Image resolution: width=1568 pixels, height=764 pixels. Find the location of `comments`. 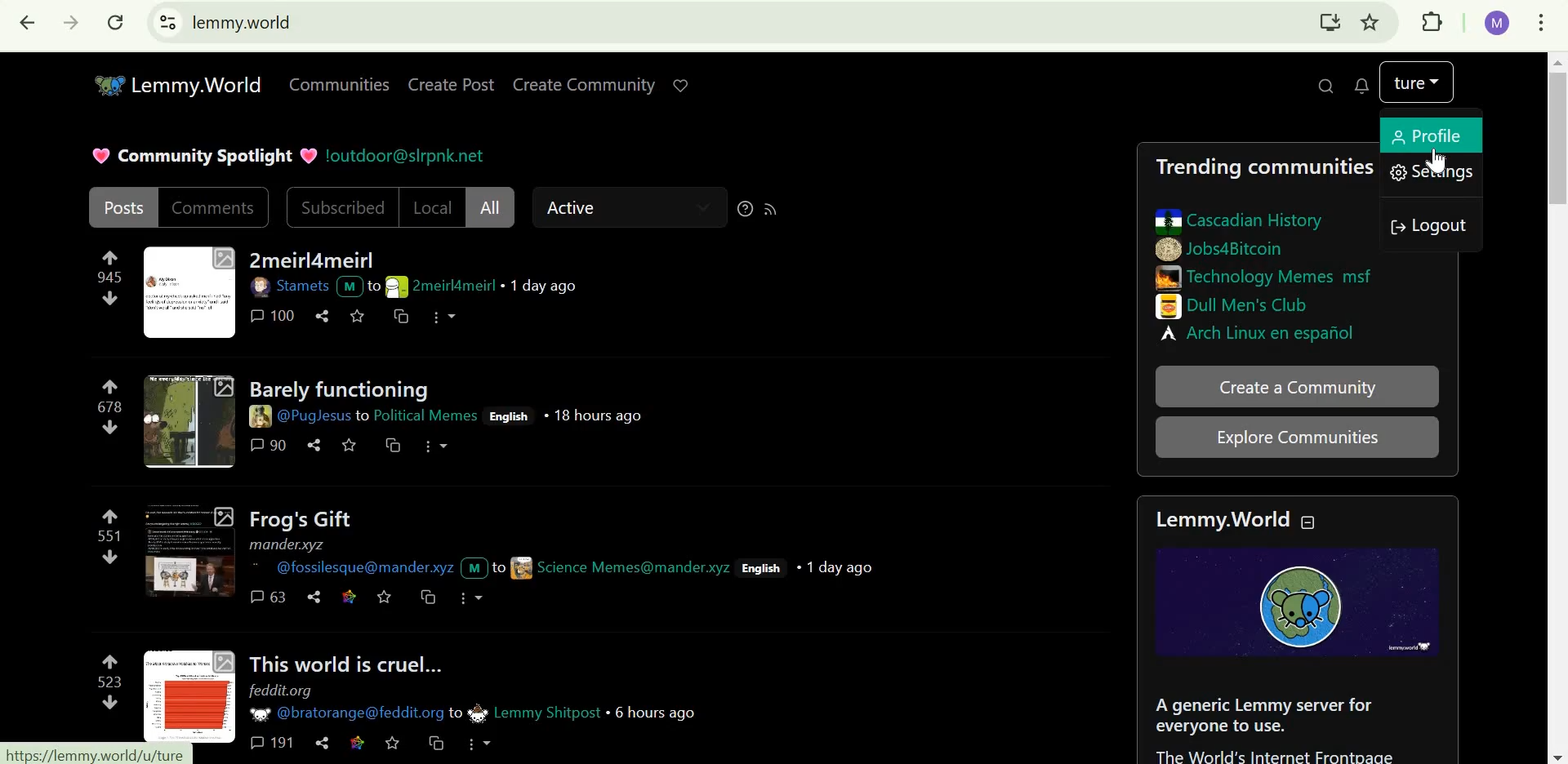

comments is located at coordinates (215, 207).